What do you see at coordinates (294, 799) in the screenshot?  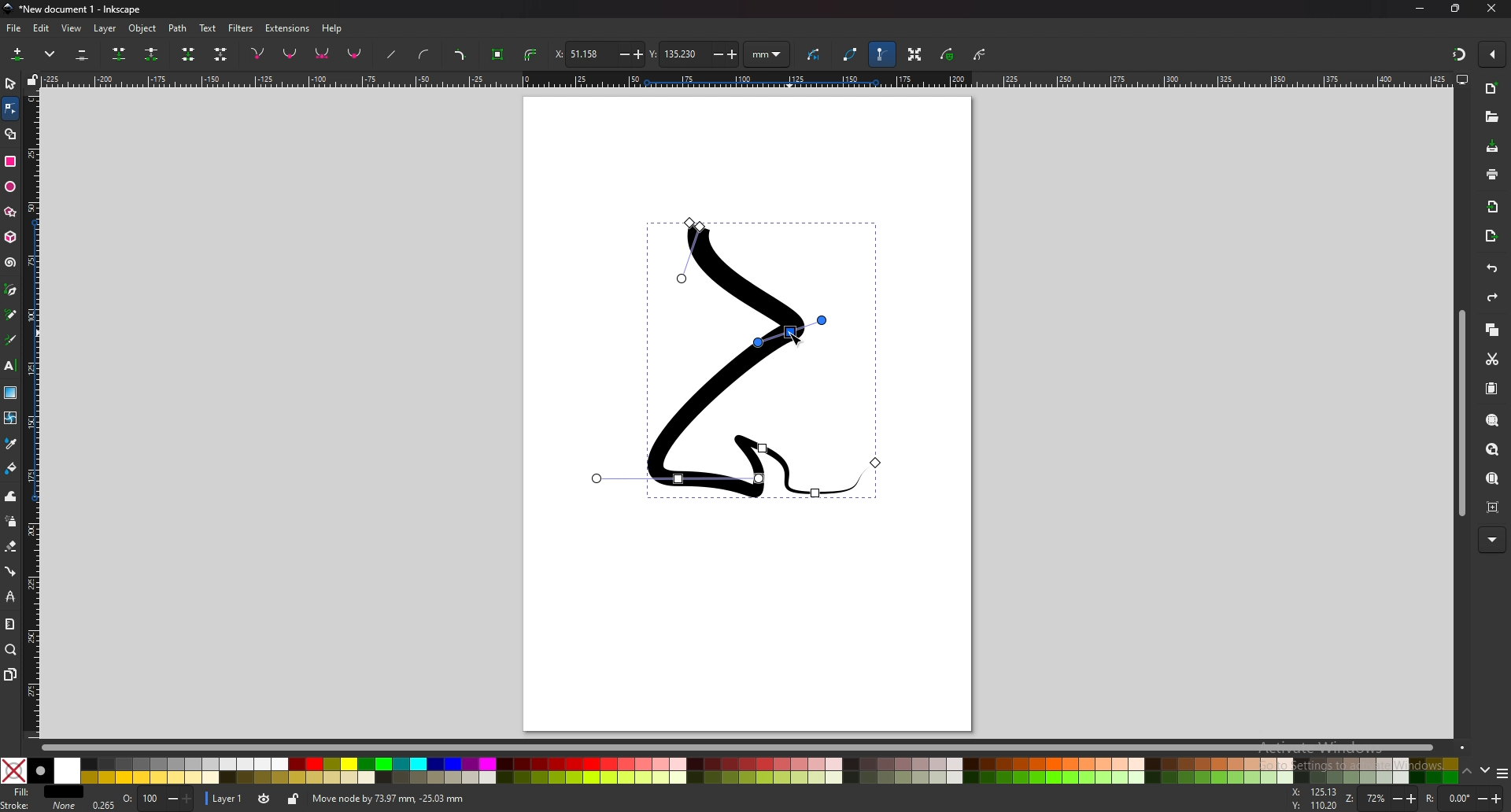 I see `lock` at bounding box center [294, 799].